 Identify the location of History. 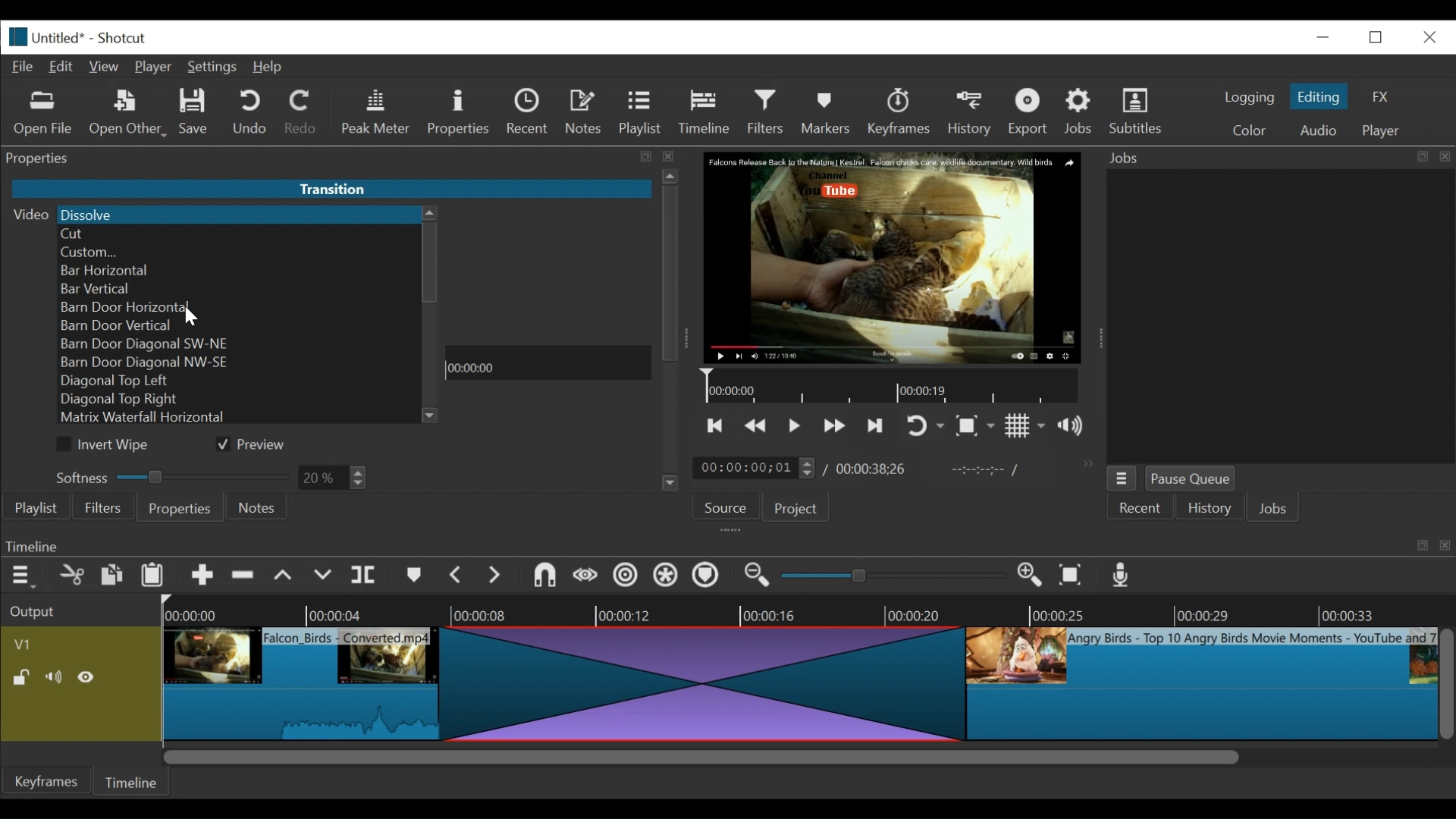
(972, 111).